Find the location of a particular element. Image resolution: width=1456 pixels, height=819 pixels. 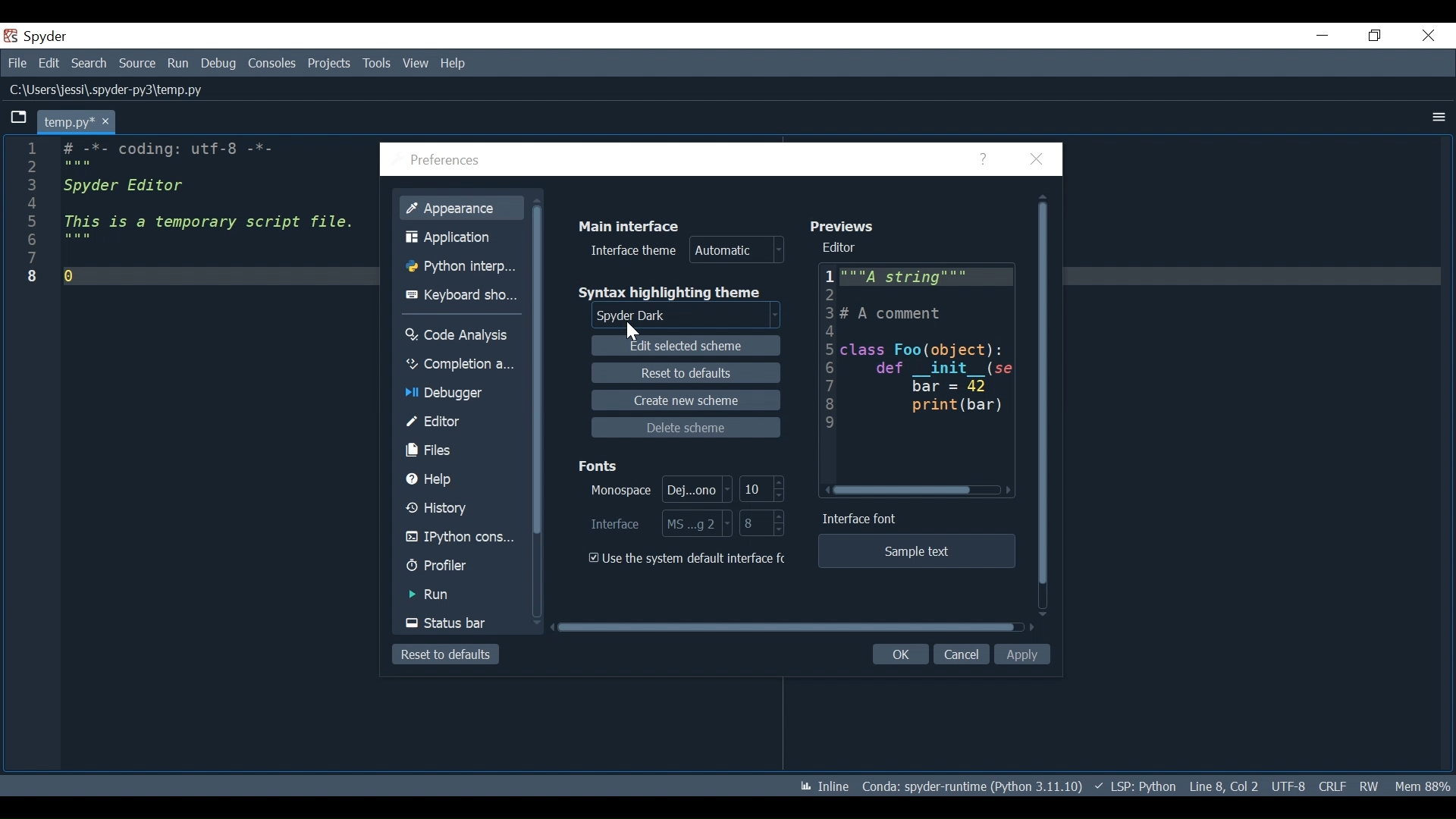

Select Interface Font Size is located at coordinates (762, 523).